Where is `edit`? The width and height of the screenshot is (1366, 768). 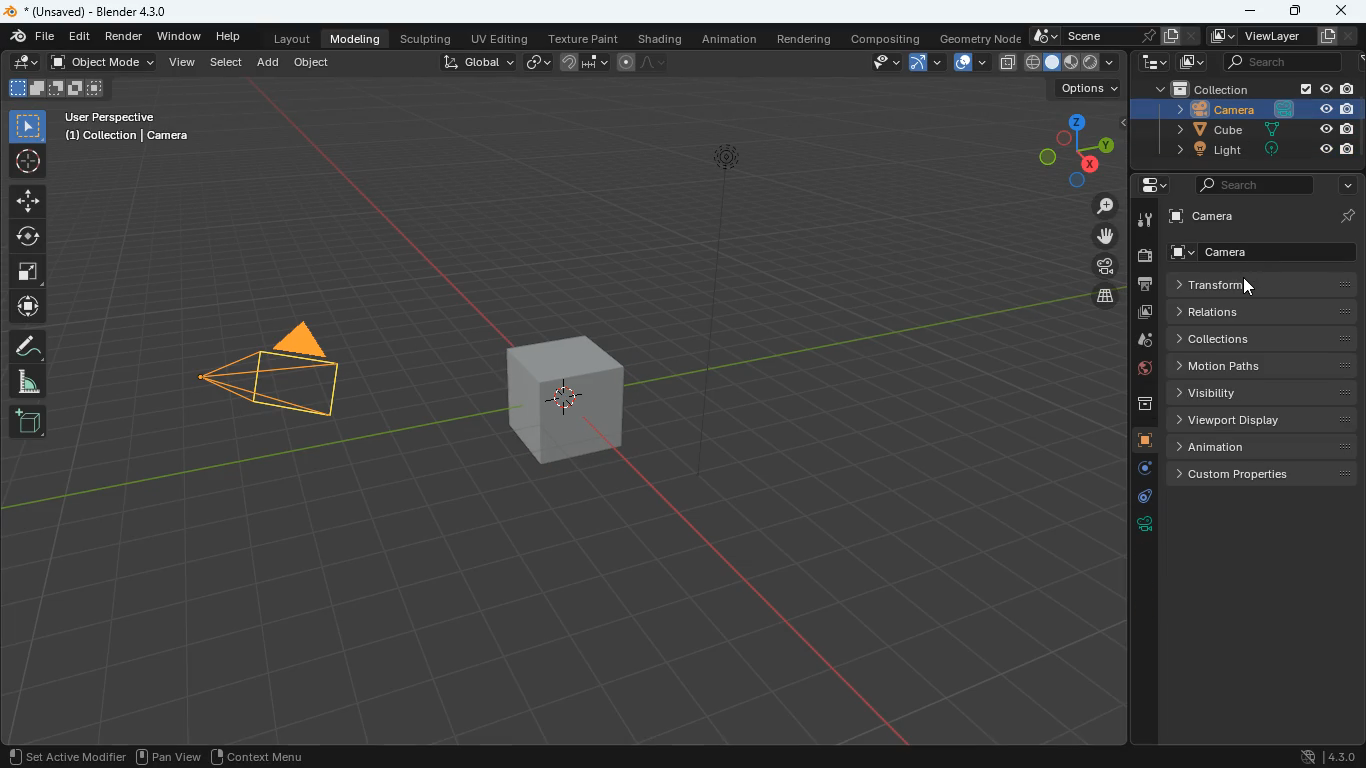 edit is located at coordinates (26, 65).